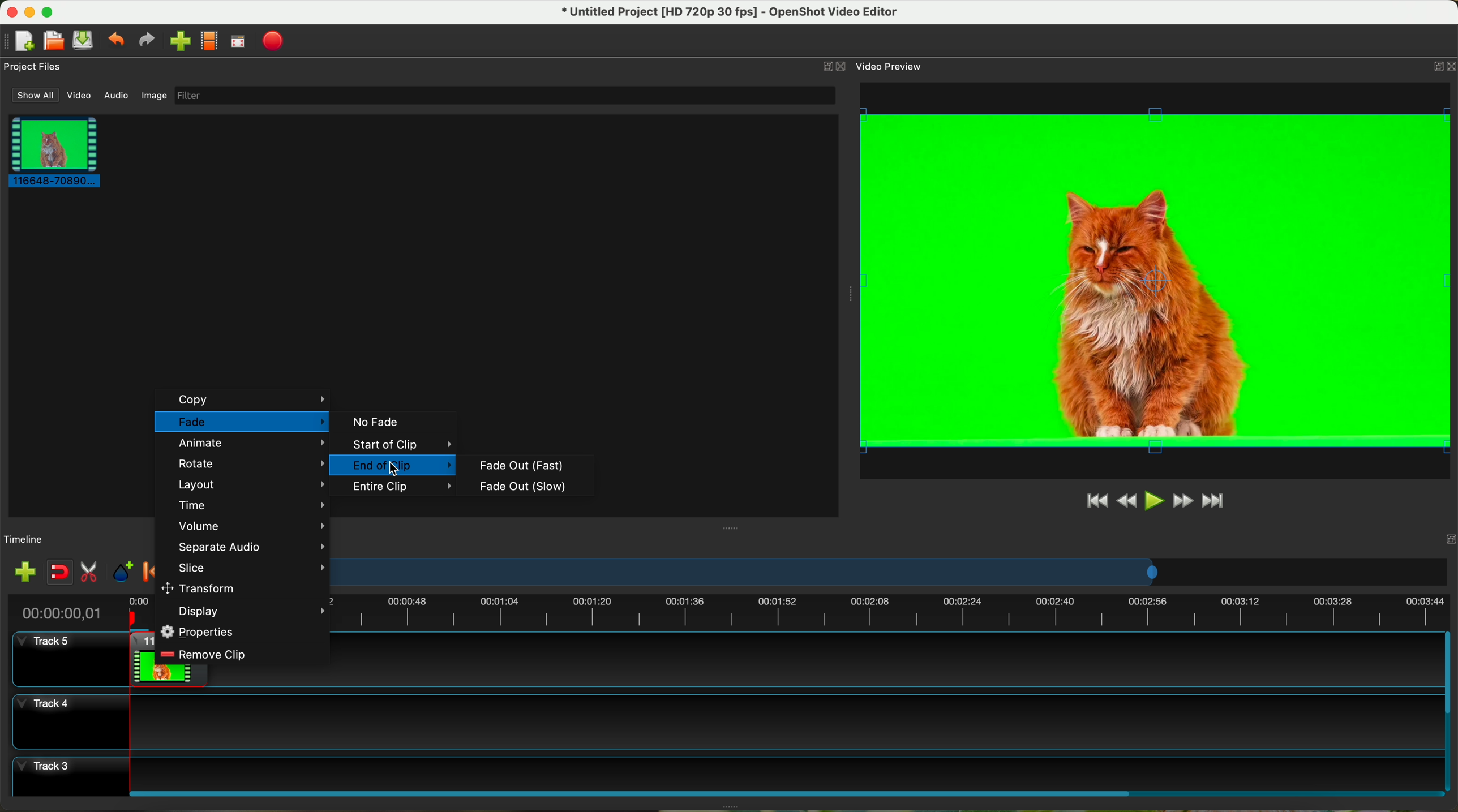  Describe the element at coordinates (731, 12) in the screenshot. I see `file name` at that location.